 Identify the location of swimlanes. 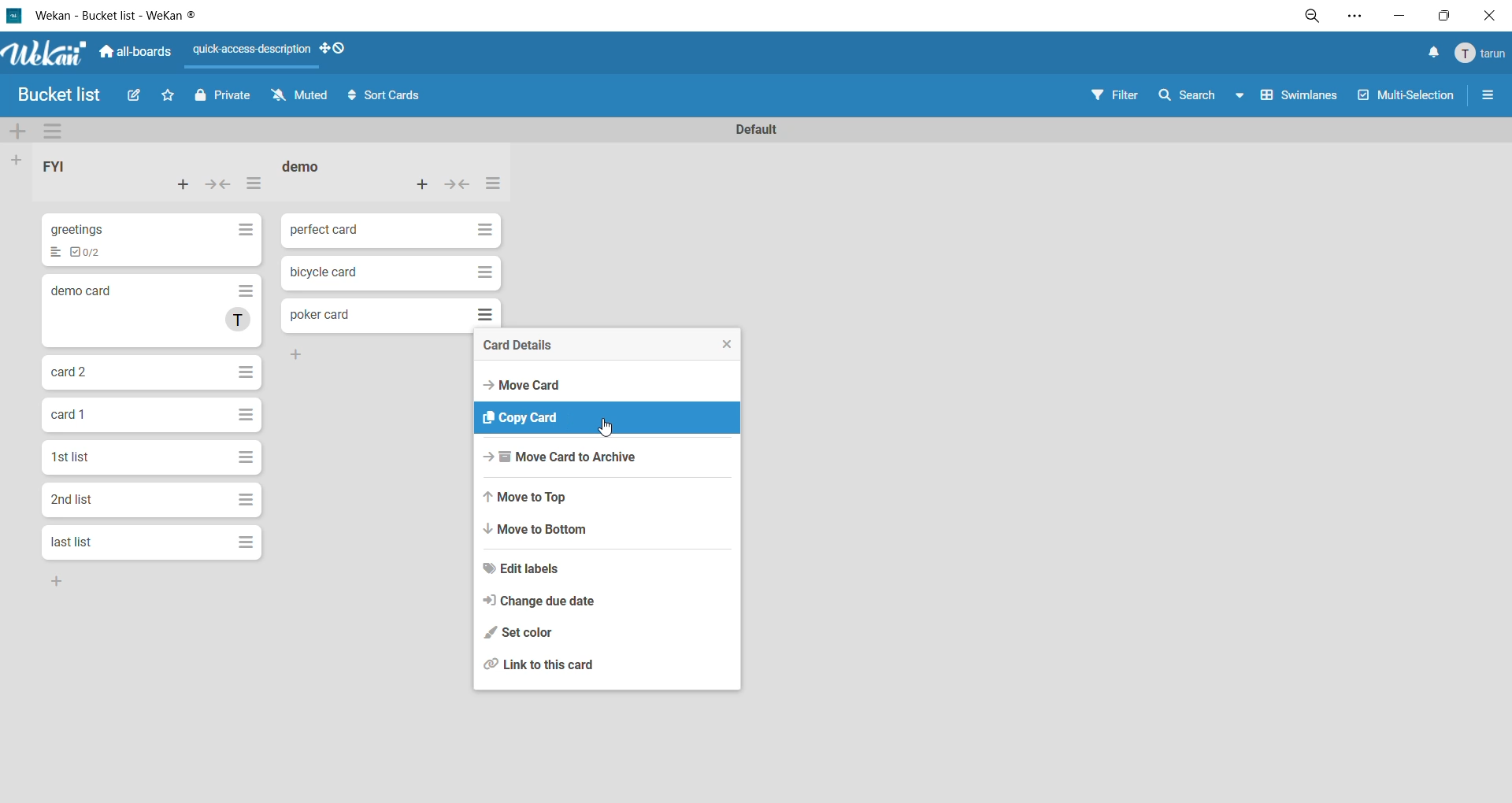
(1303, 98).